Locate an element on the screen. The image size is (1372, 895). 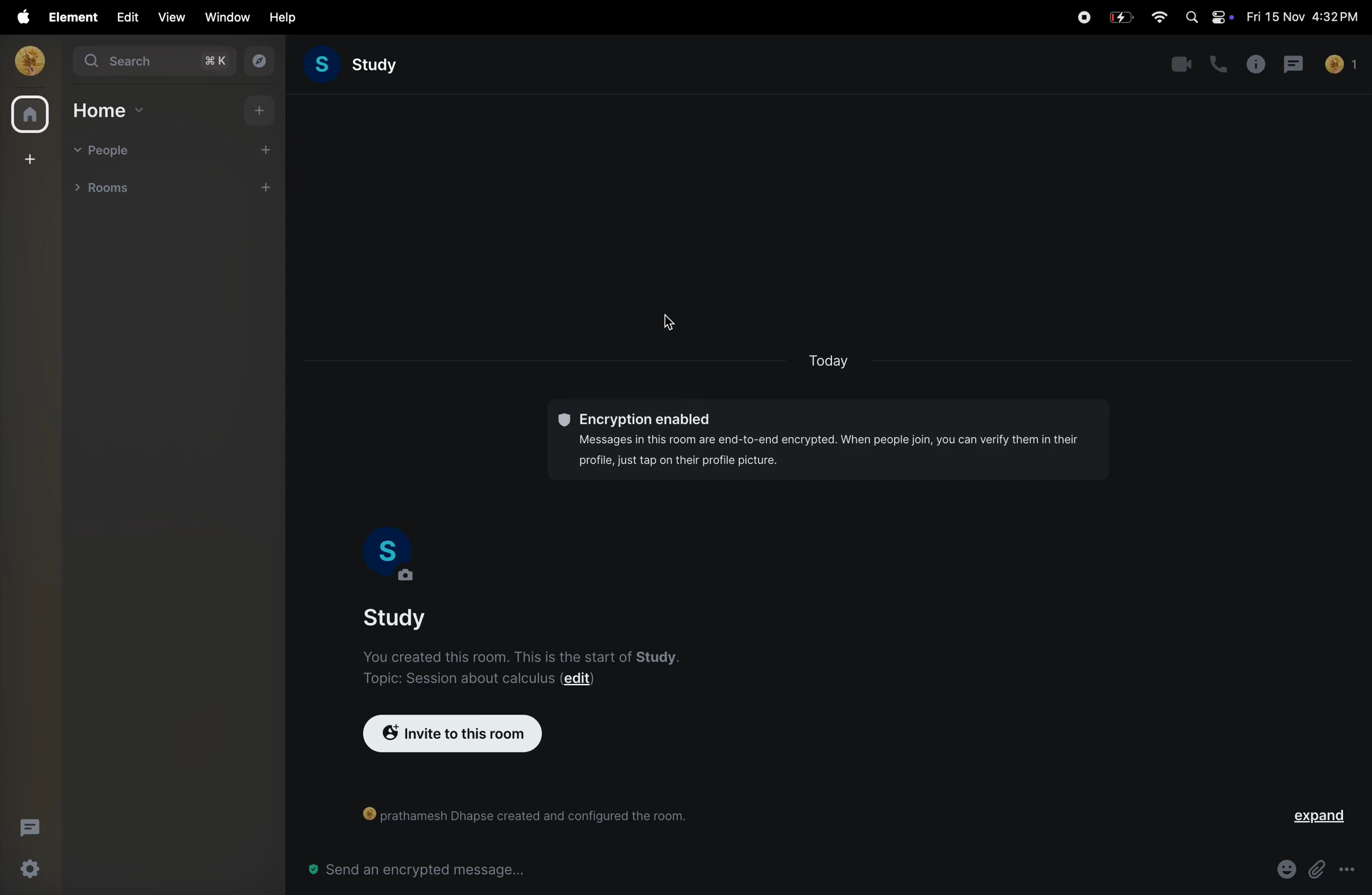
record is located at coordinates (1083, 16).